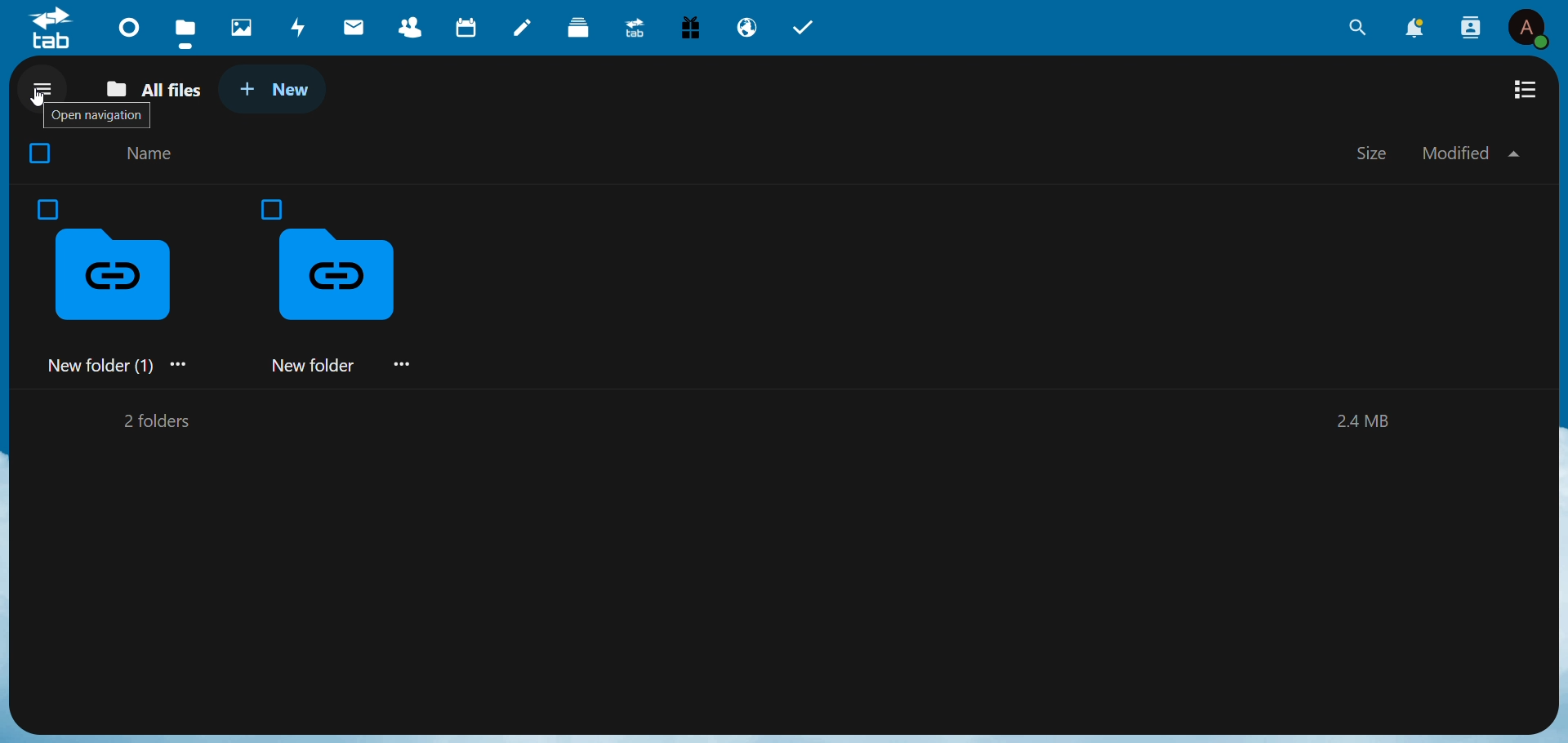 The height and width of the screenshot is (743, 1568). I want to click on free trial, so click(692, 26).